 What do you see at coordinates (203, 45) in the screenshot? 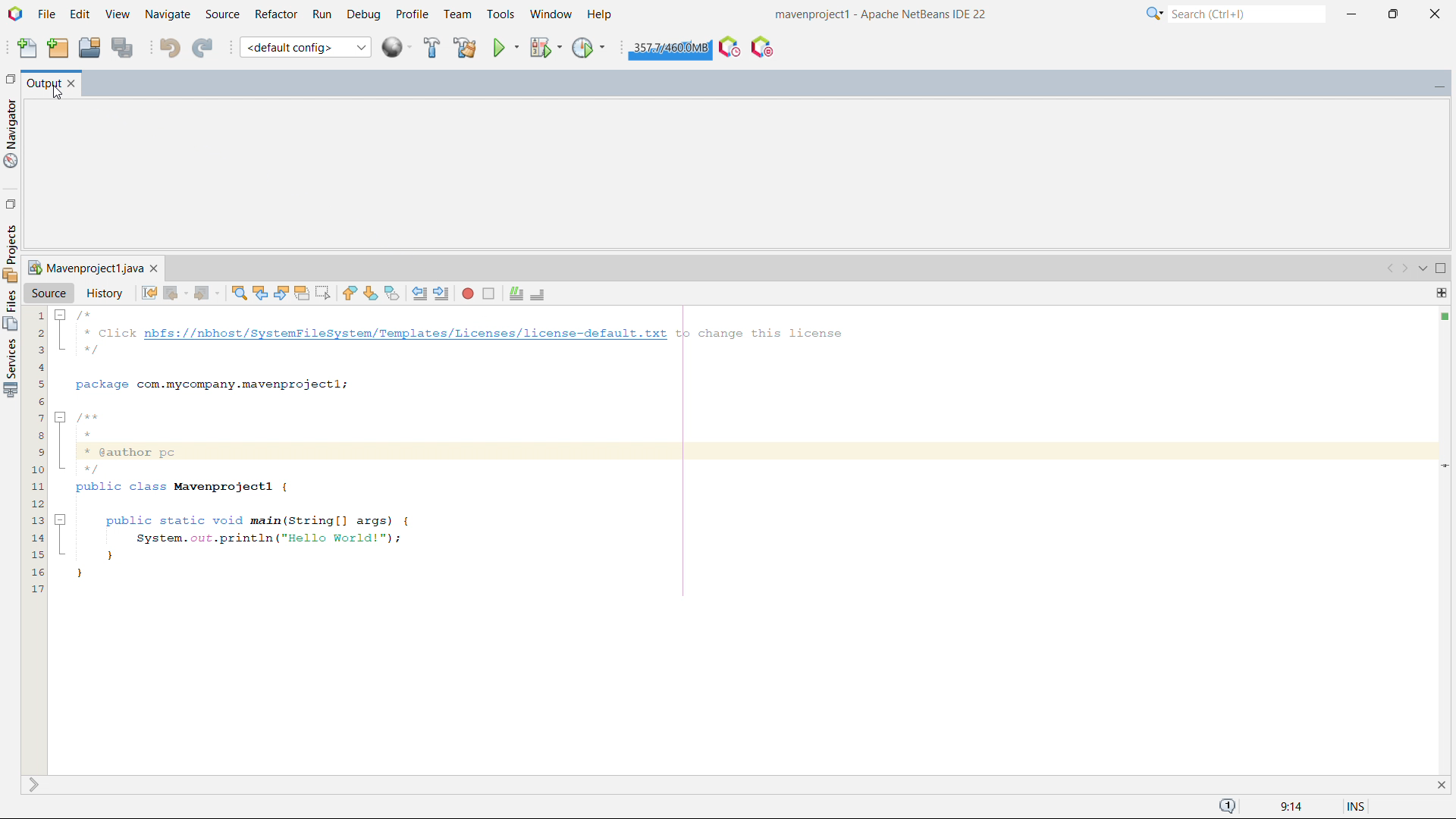
I see `redo` at bounding box center [203, 45].